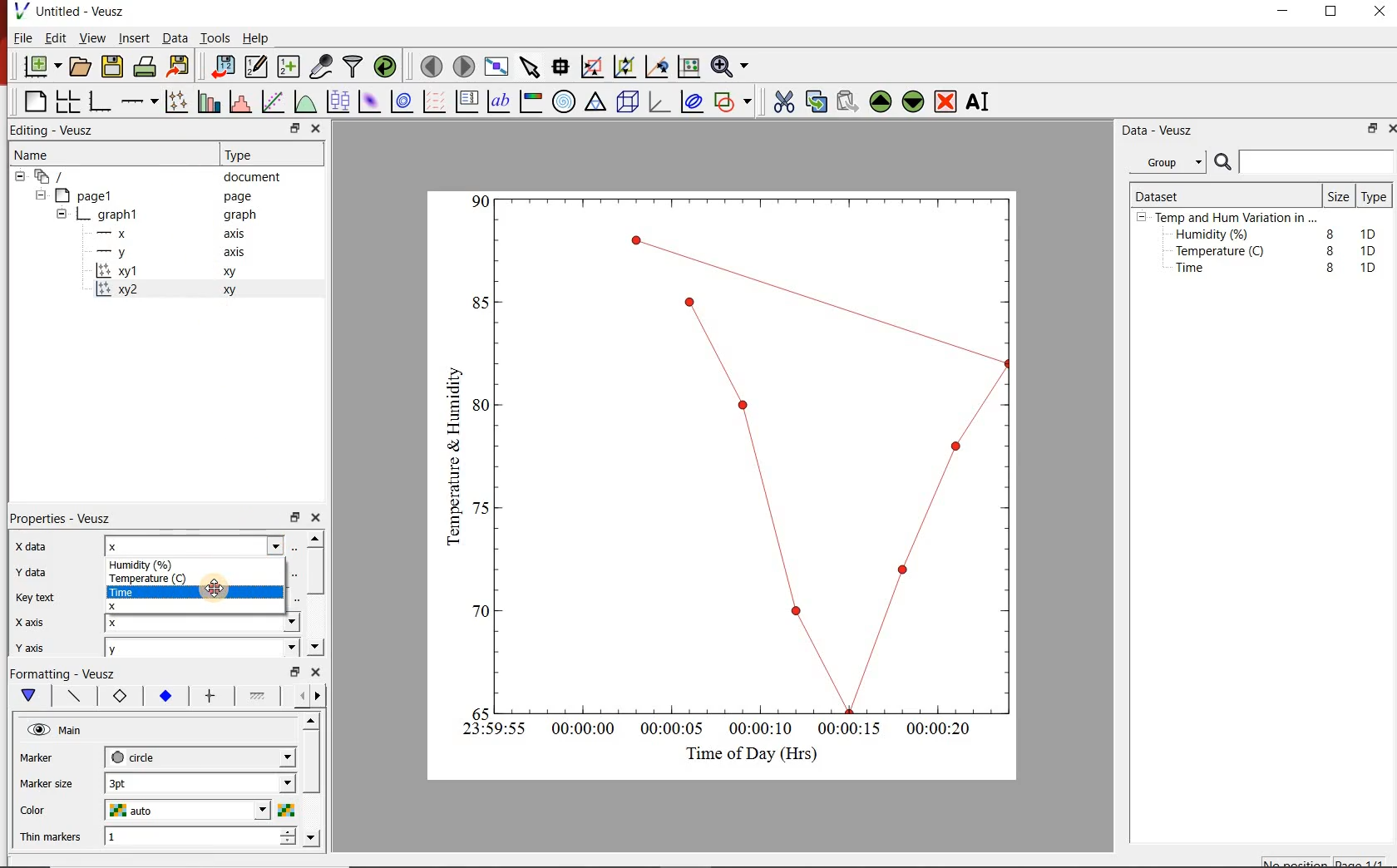 This screenshot has width=1397, height=868. I want to click on restore down, so click(292, 672).